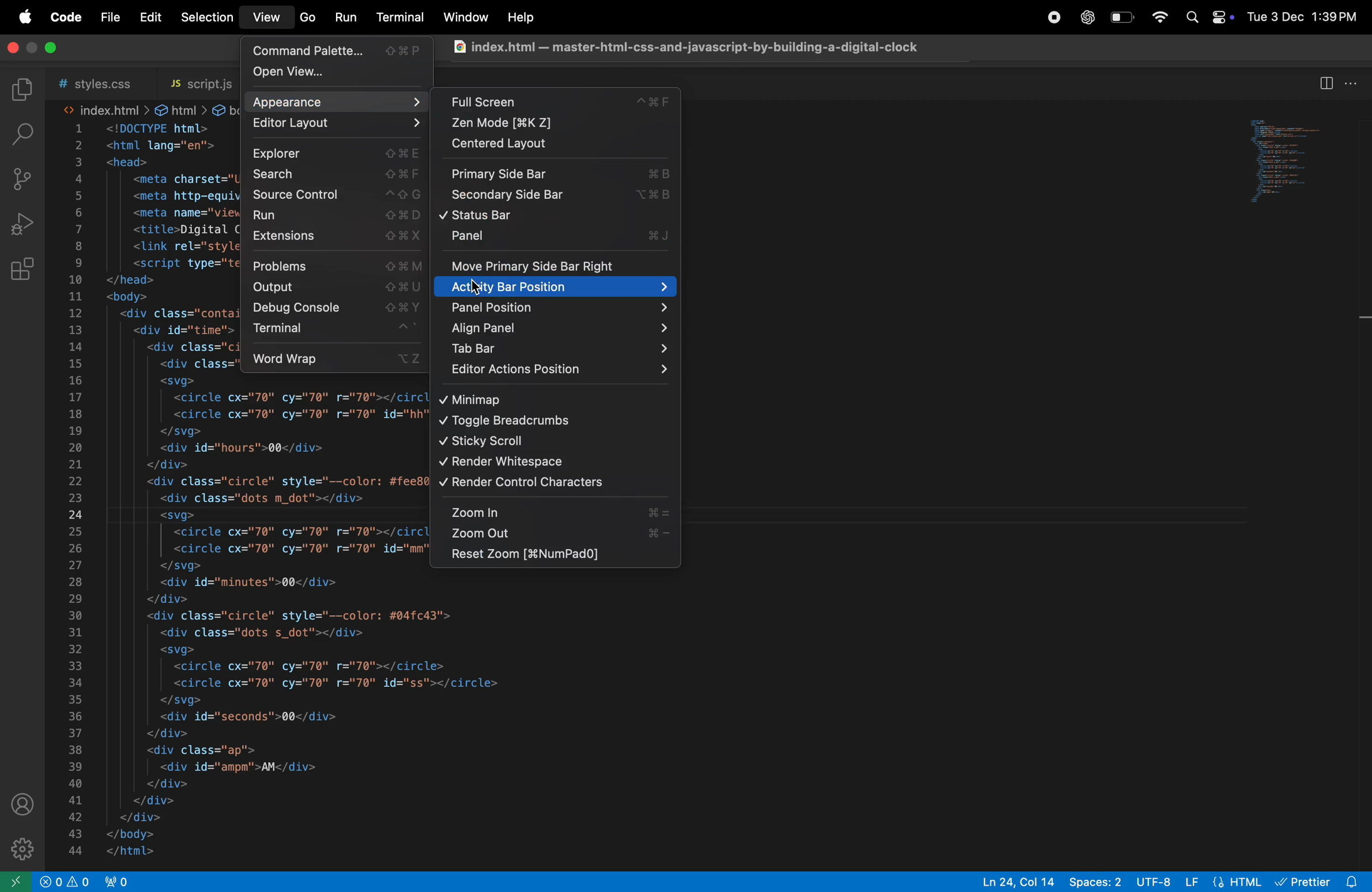 The height and width of the screenshot is (892, 1372). Describe the element at coordinates (337, 154) in the screenshot. I see `explorer` at that location.